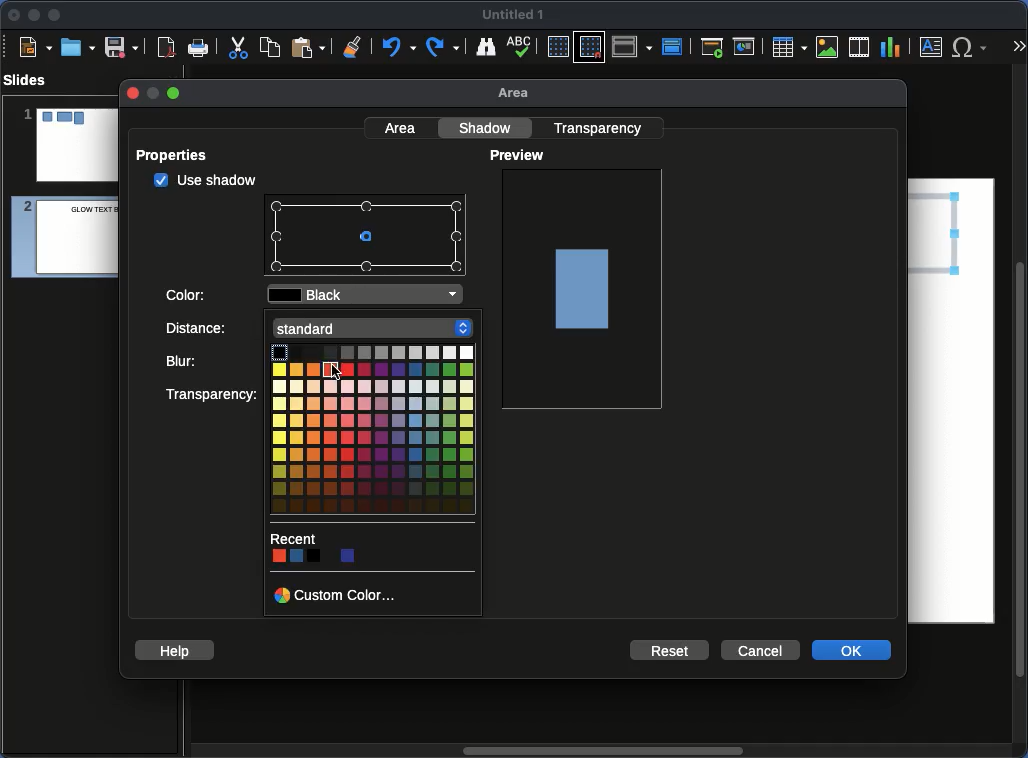  Describe the element at coordinates (131, 93) in the screenshot. I see `close` at that location.